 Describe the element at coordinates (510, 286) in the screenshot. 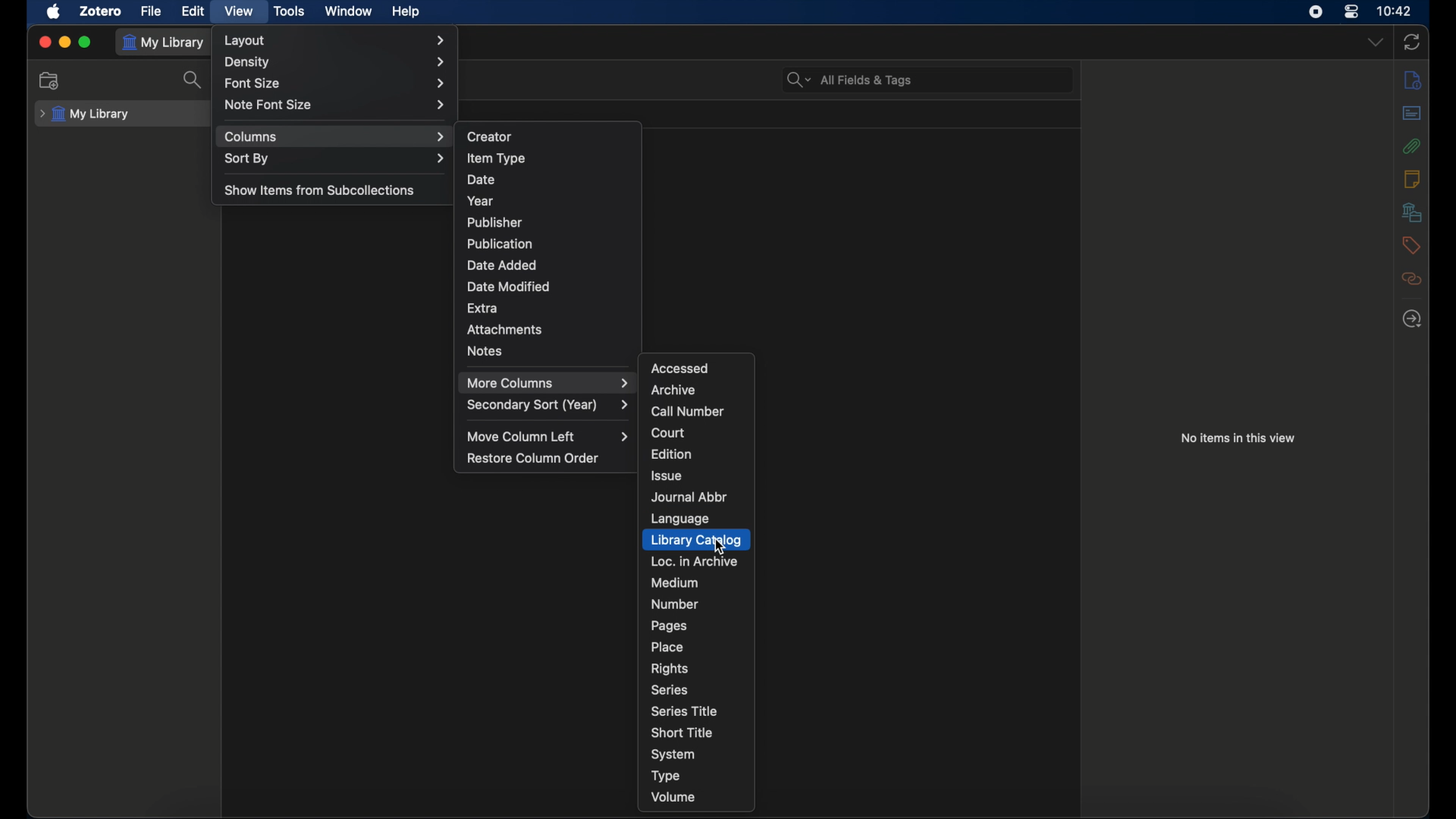

I see `date modified` at that location.